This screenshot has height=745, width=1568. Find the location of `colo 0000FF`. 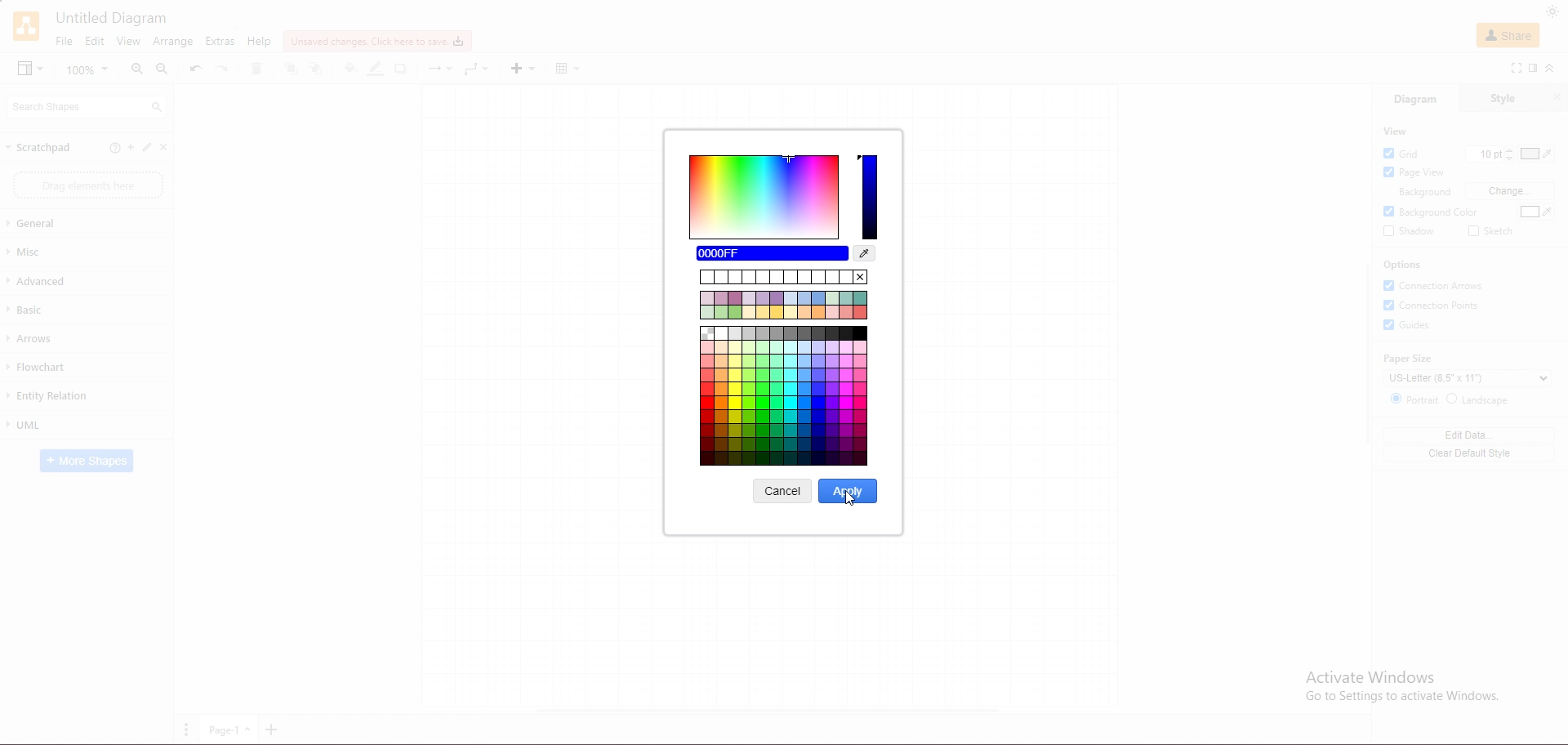

colo 0000FF is located at coordinates (772, 254).